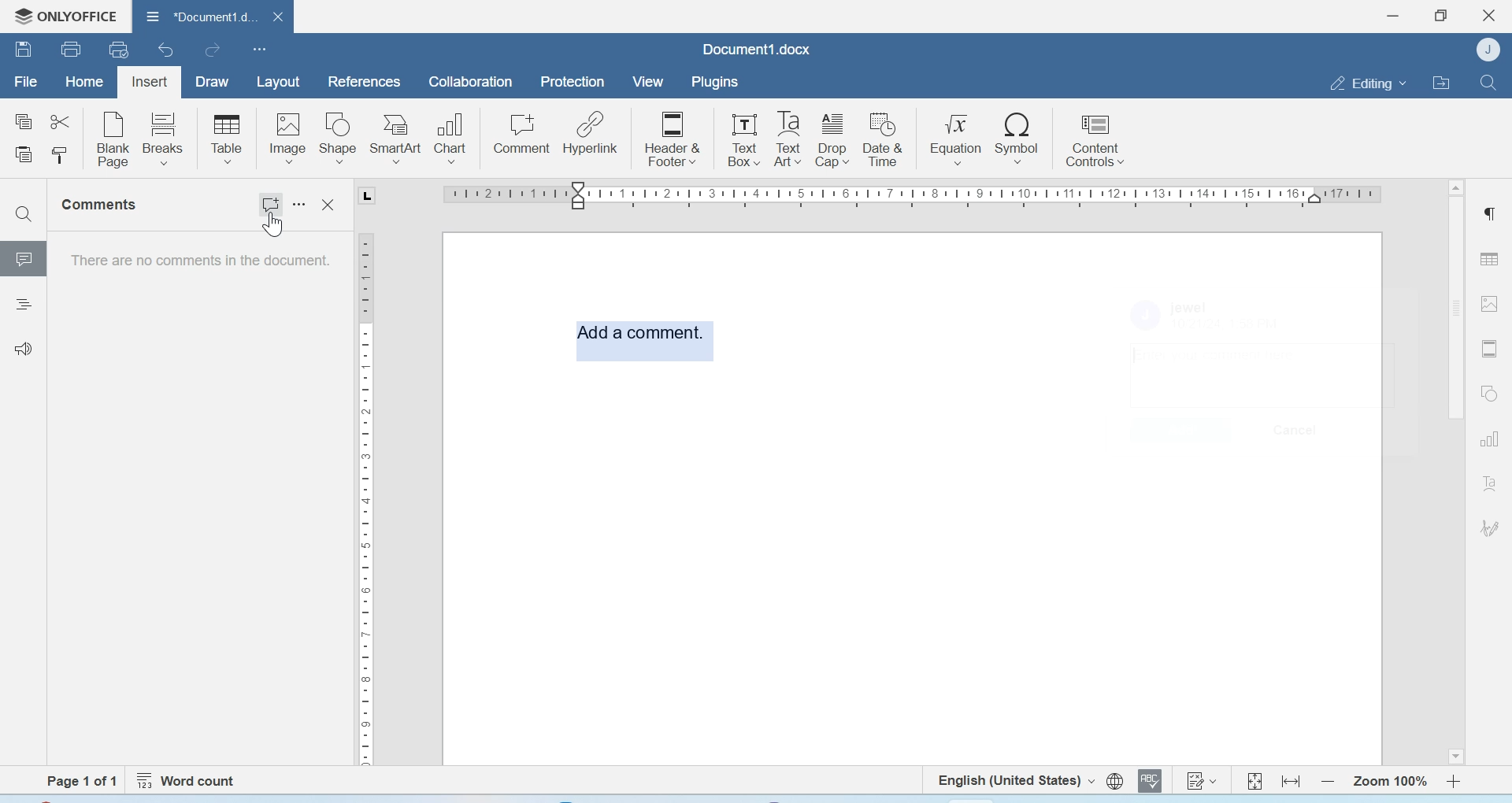  Describe the element at coordinates (119, 49) in the screenshot. I see `Quick print` at that location.